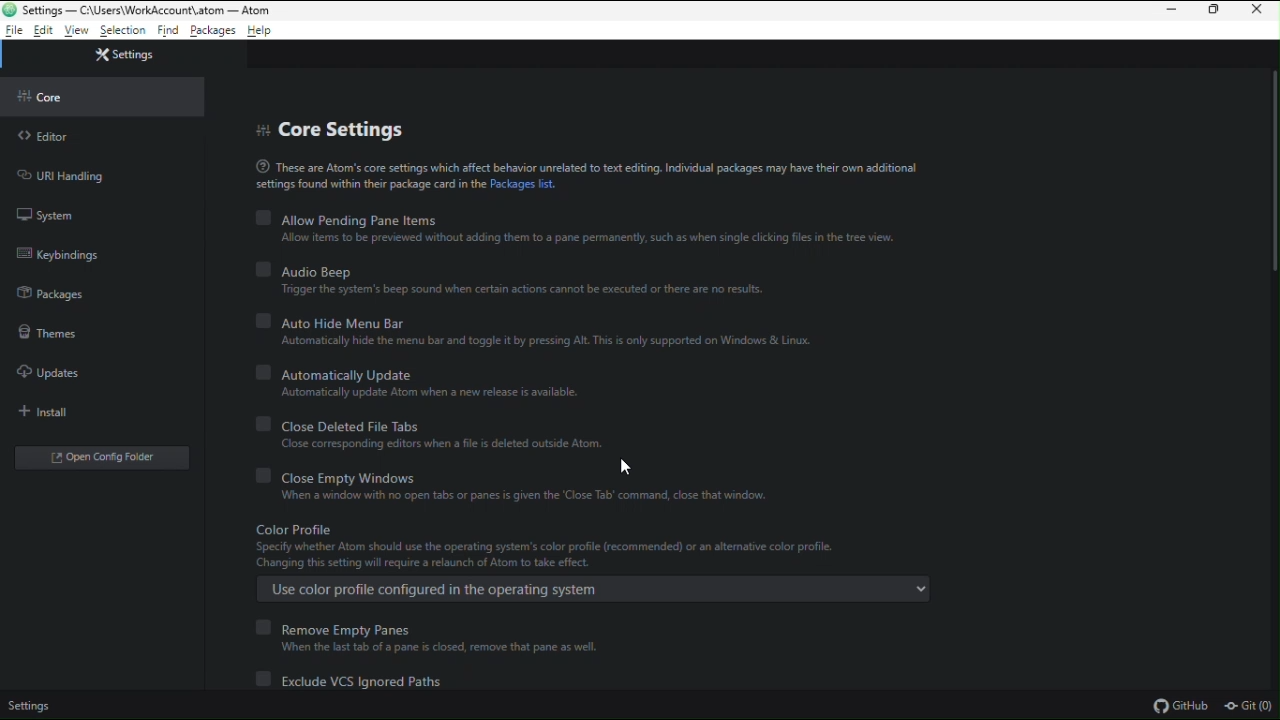  What do you see at coordinates (52, 293) in the screenshot?
I see `Packages` at bounding box center [52, 293].